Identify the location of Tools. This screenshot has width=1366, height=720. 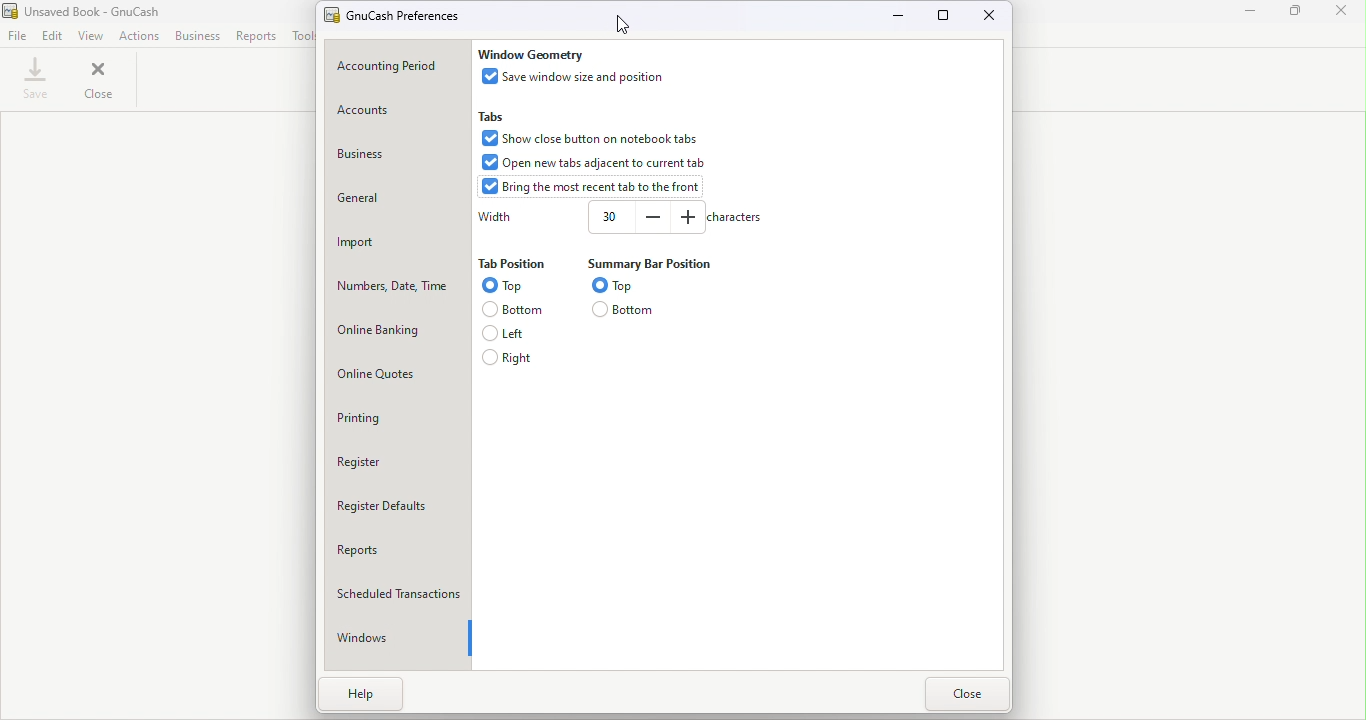
(302, 35).